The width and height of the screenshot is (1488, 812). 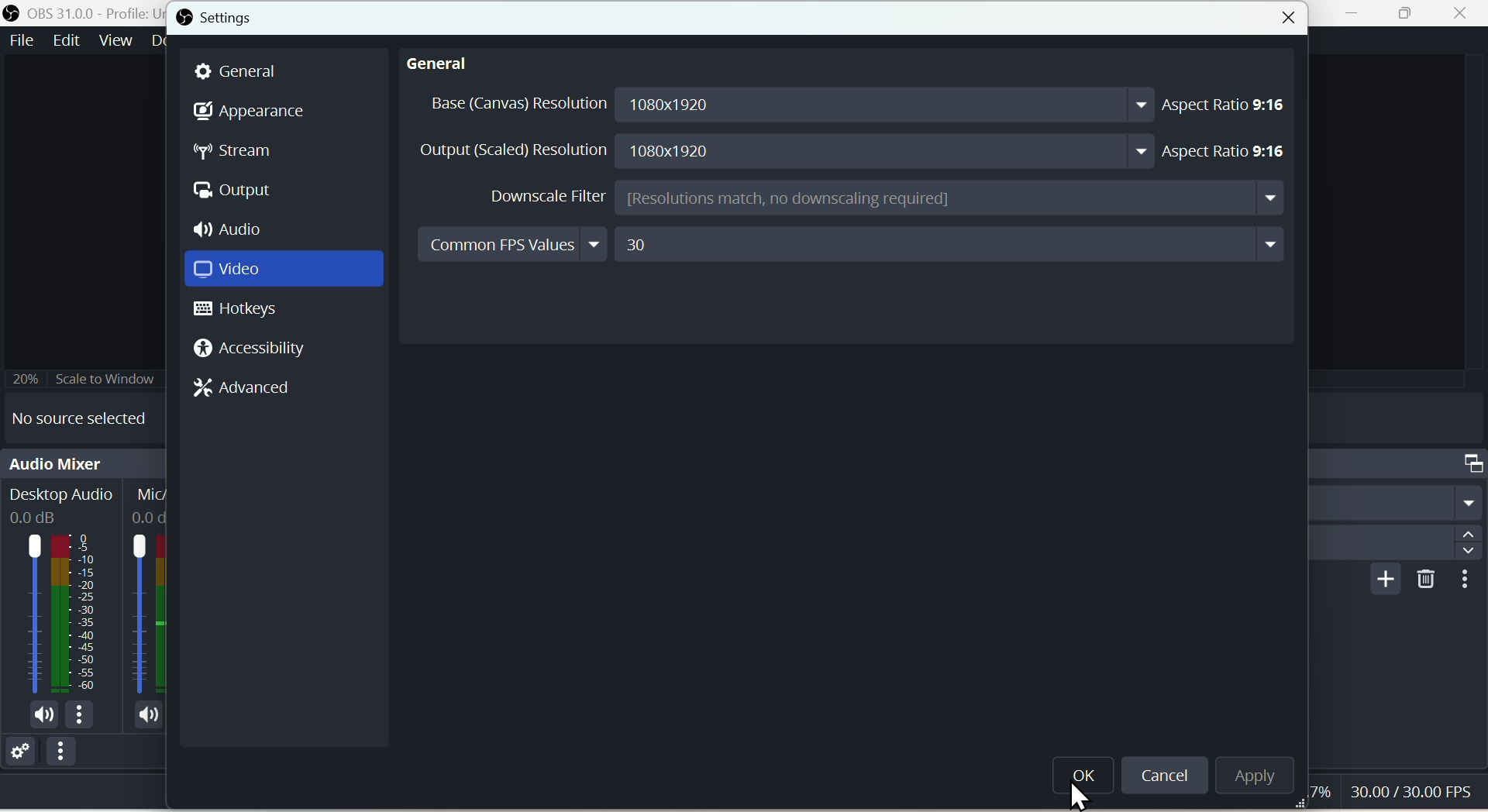 I want to click on , so click(x=1466, y=580).